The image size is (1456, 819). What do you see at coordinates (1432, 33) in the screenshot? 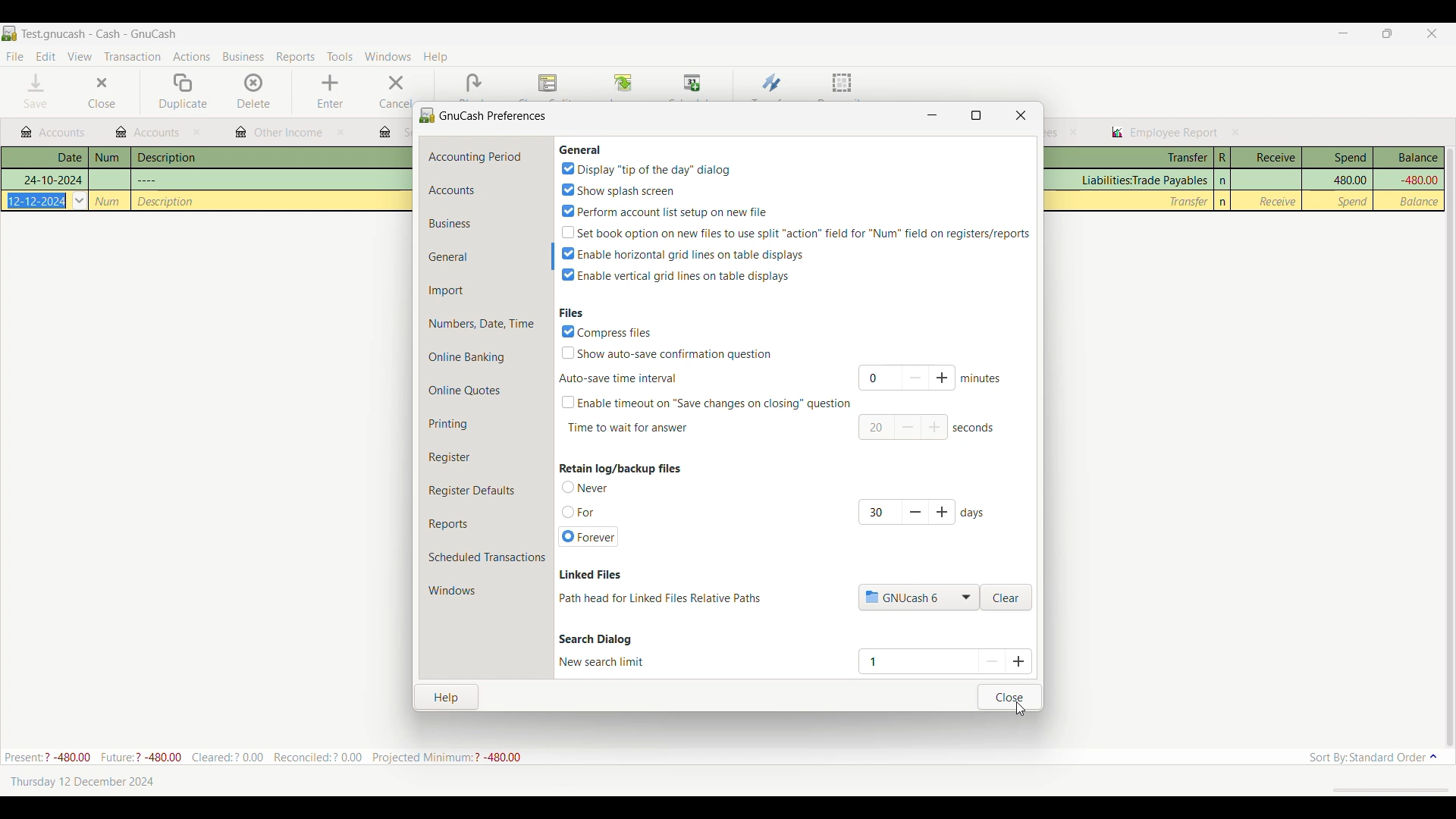
I see `Close interface` at bounding box center [1432, 33].